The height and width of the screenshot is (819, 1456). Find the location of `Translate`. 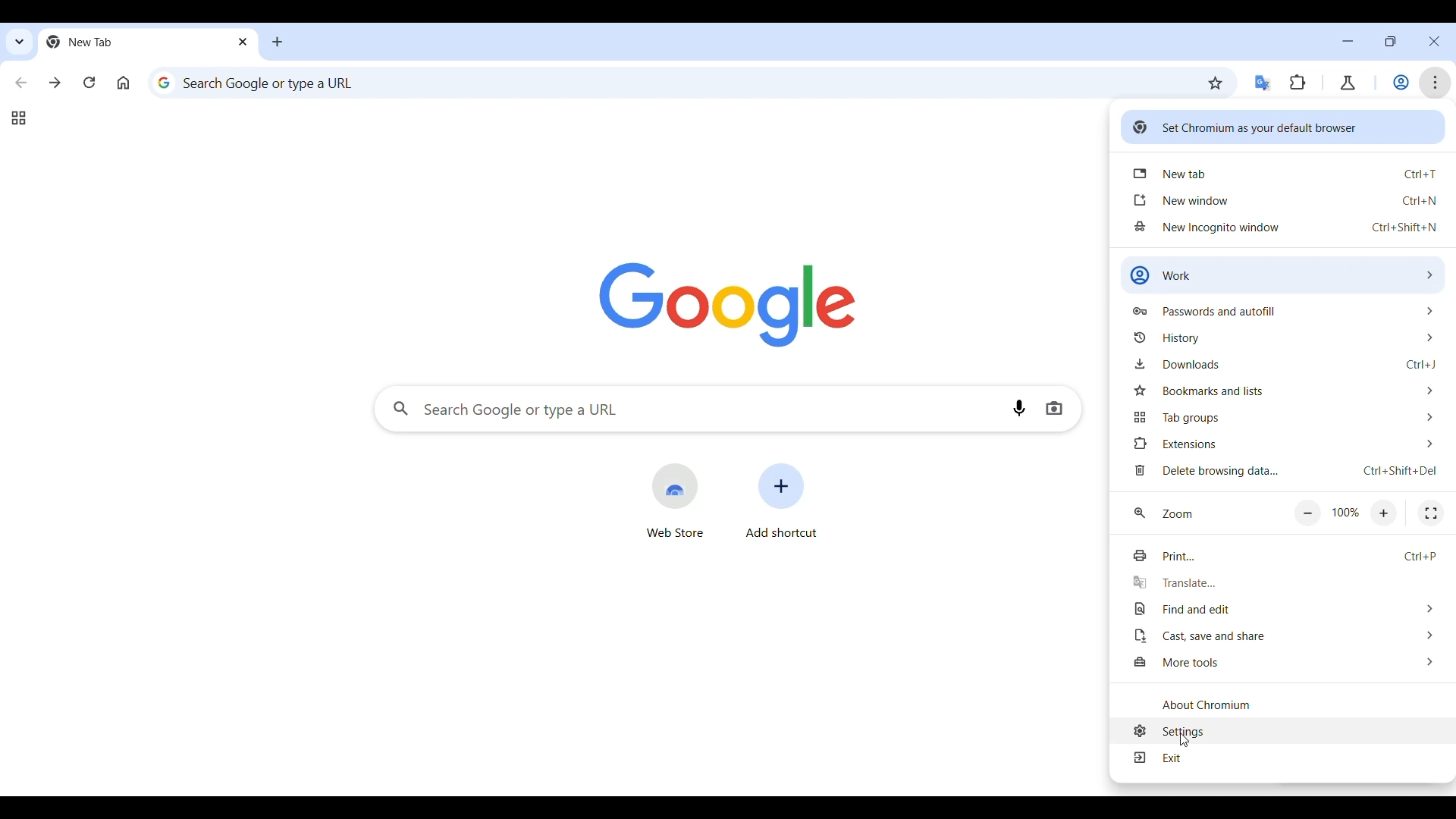

Translate is located at coordinates (1283, 582).